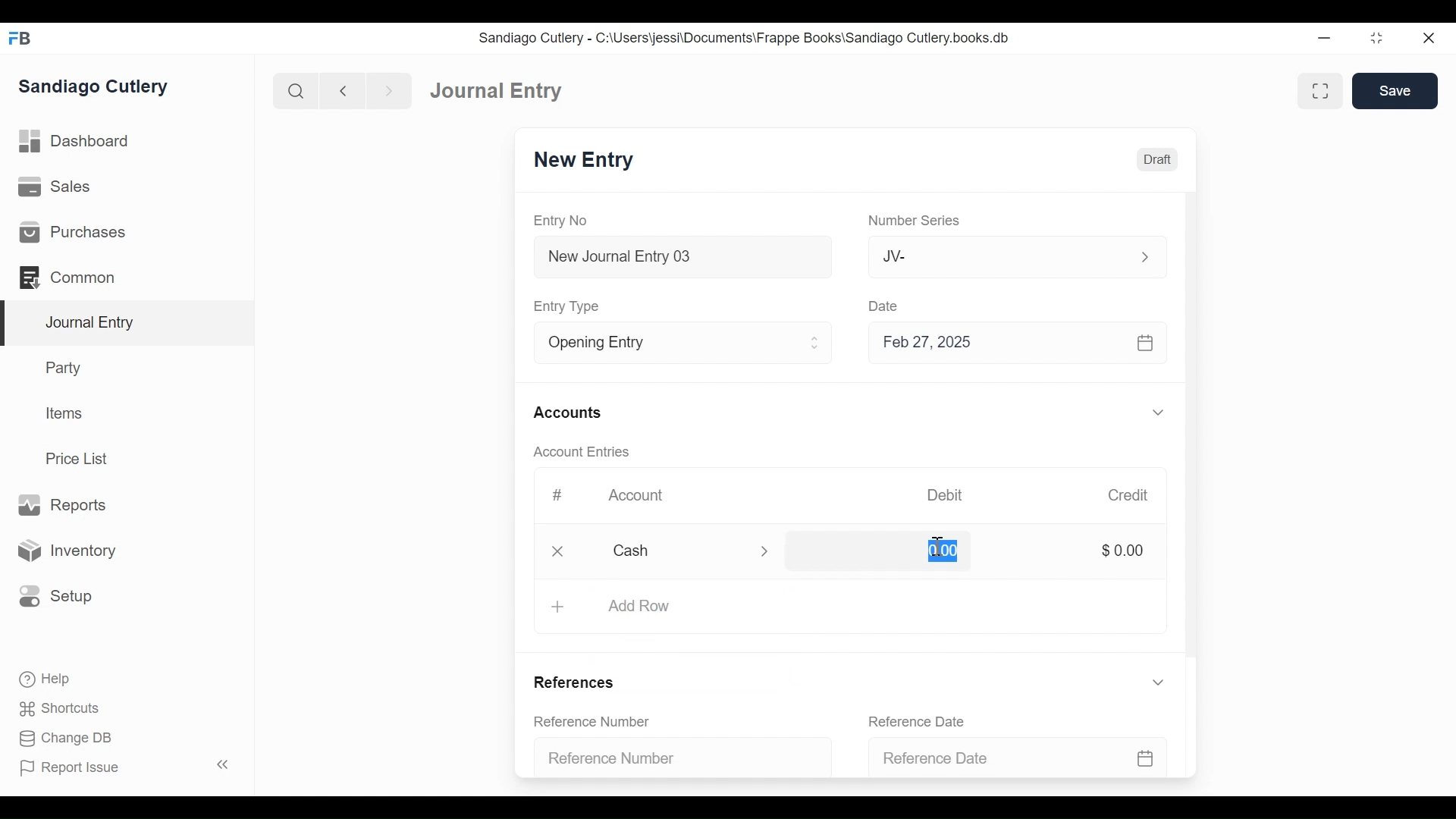  What do you see at coordinates (1397, 91) in the screenshot?
I see `Save` at bounding box center [1397, 91].